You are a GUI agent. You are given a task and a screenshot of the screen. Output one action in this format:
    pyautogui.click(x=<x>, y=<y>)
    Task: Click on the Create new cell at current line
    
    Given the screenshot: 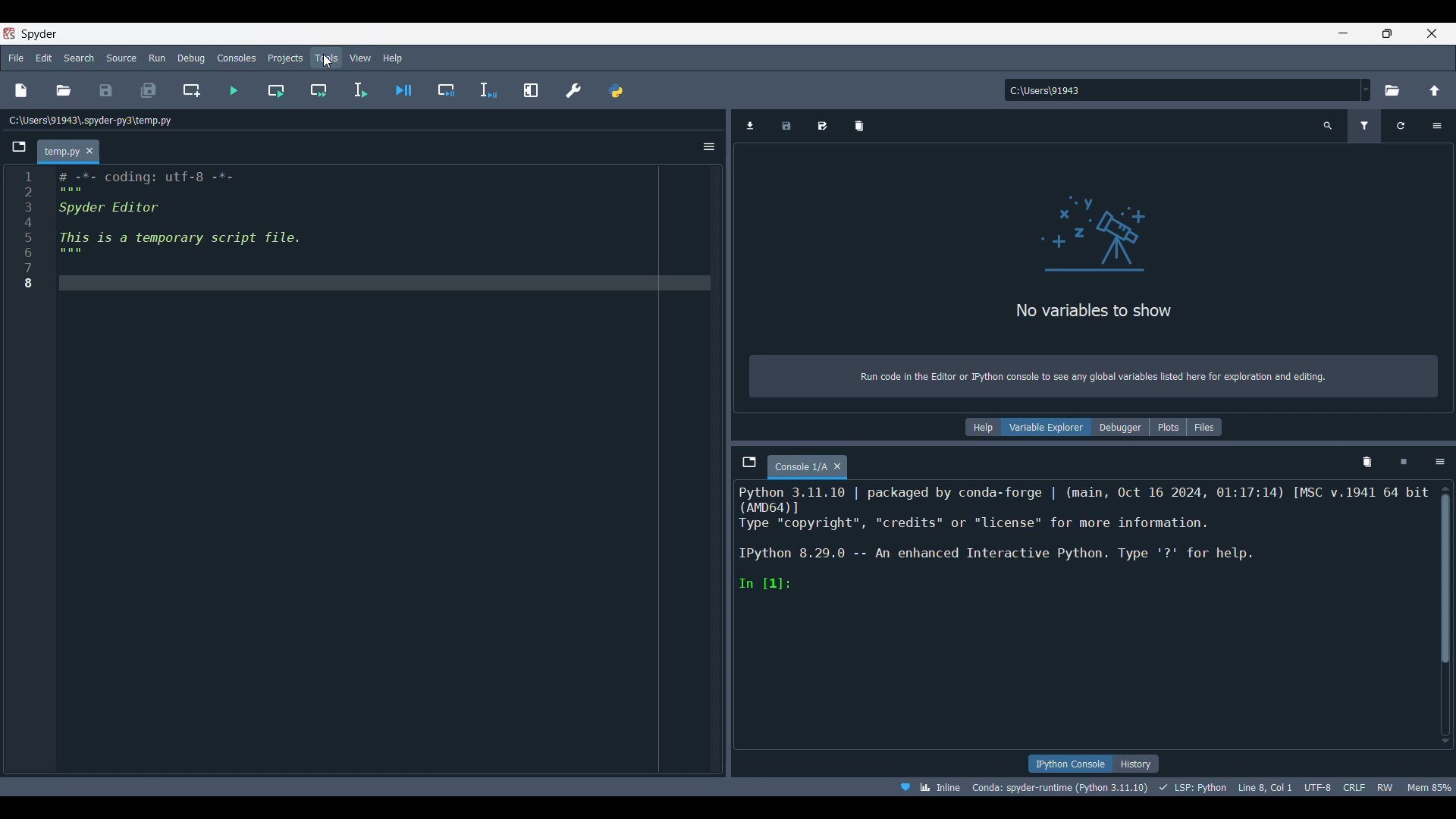 What is the action you would take?
    pyautogui.click(x=191, y=91)
    